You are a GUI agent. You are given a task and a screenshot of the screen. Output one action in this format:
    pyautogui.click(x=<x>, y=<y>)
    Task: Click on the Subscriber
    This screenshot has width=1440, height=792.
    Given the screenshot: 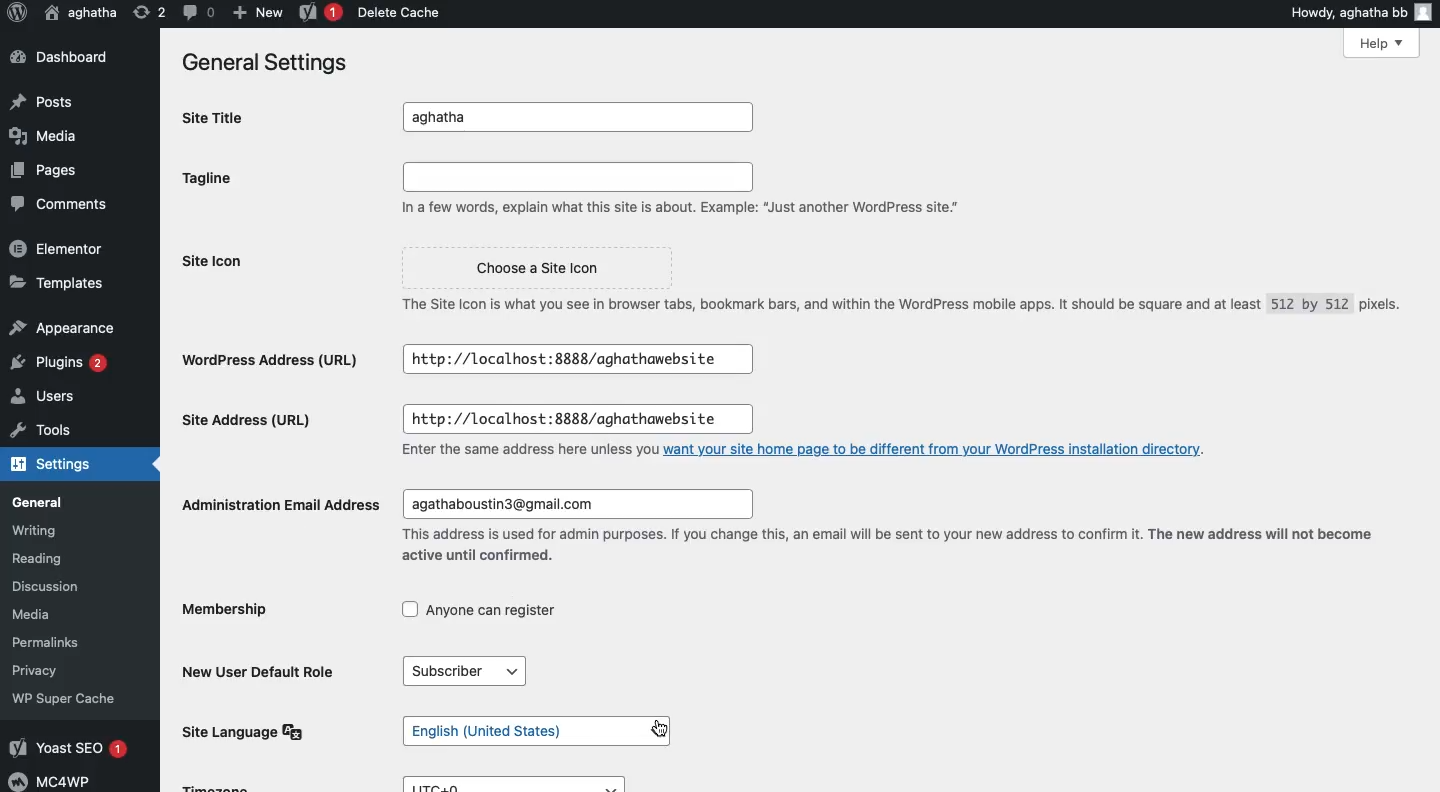 What is the action you would take?
    pyautogui.click(x=472, y=672)
    